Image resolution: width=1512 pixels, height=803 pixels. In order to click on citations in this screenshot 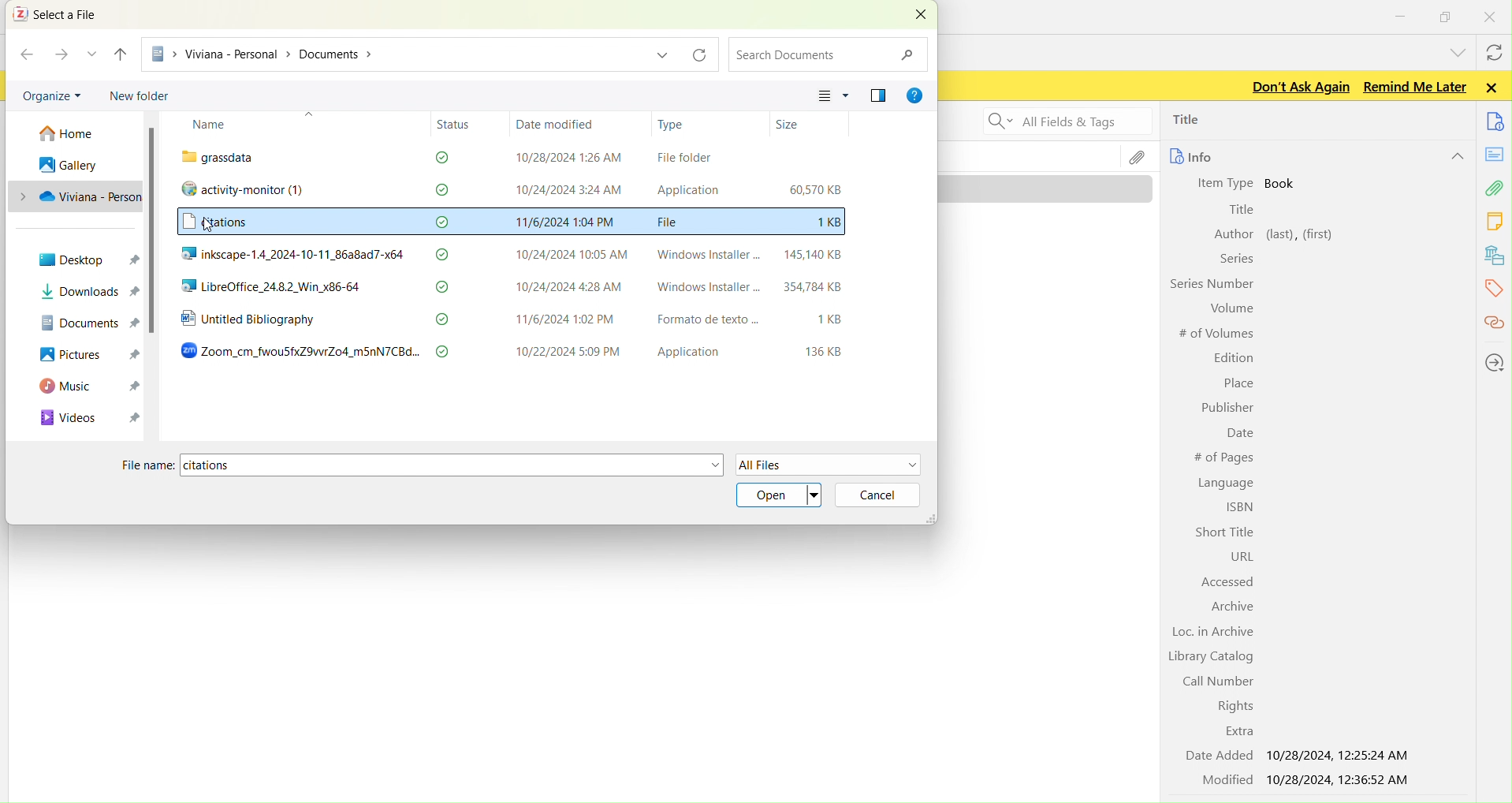, I will do `click(225, 222)`.